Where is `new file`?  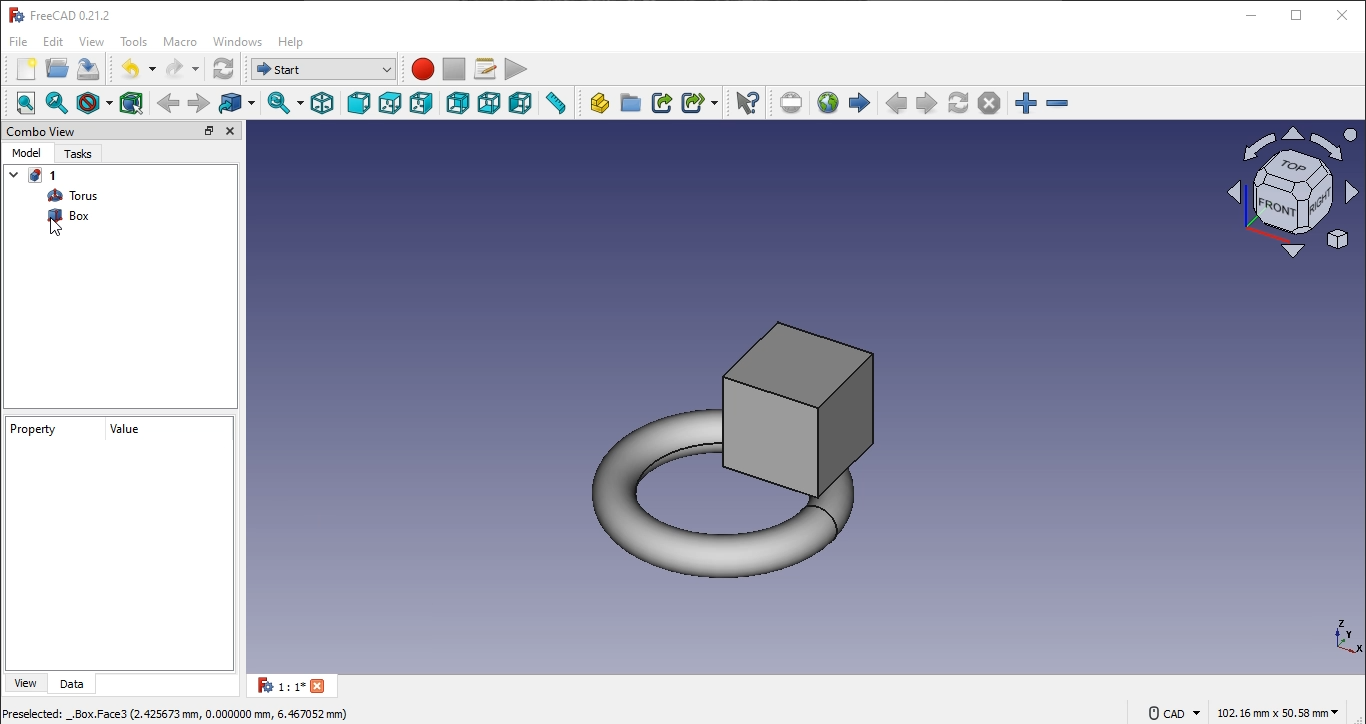 new file is located at coordinates (28, 69).